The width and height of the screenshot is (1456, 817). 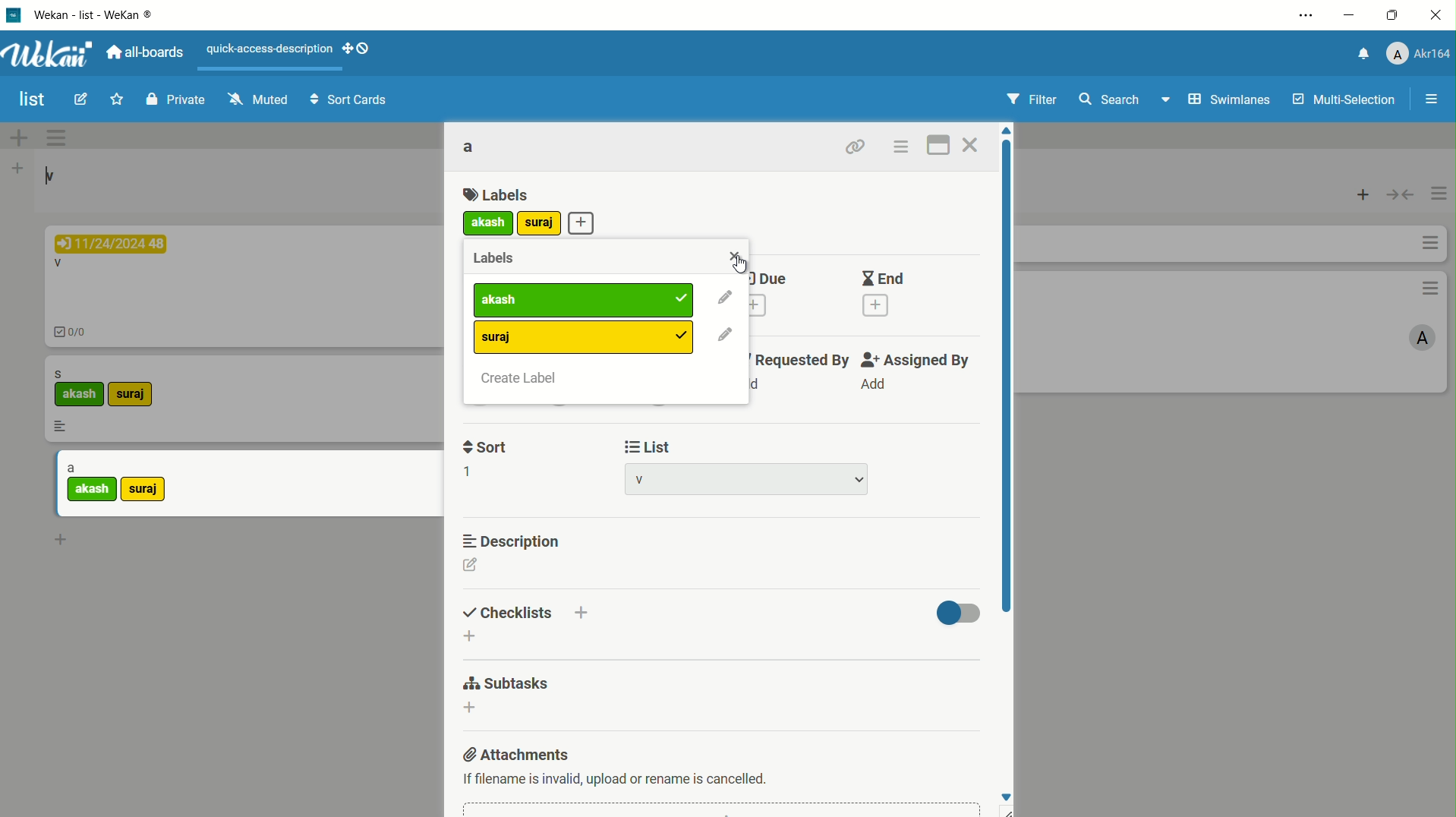 I want to click on maximize, so click(x=1395, y=18).